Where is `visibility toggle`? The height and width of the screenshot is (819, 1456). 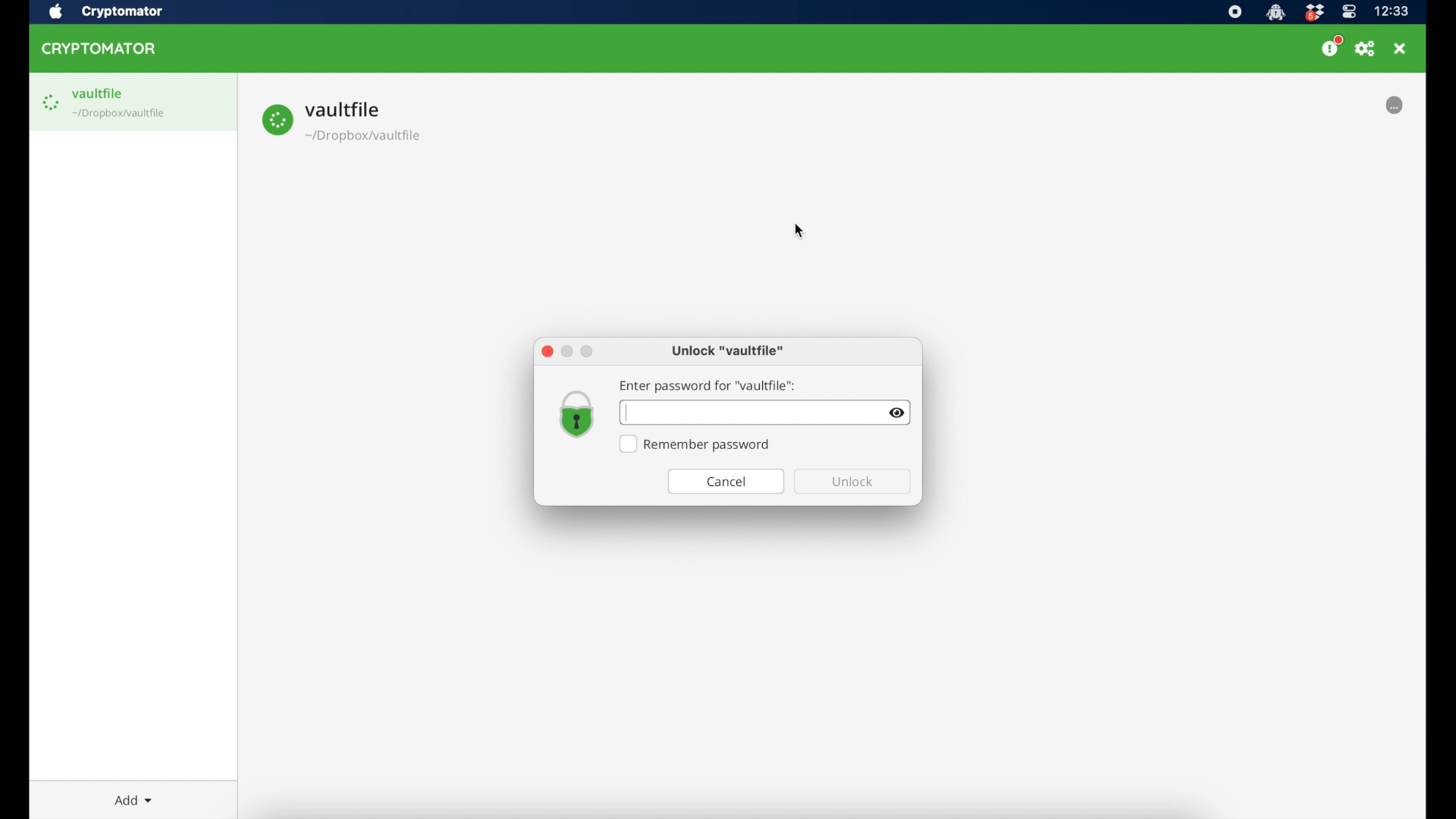 visibility toggle is located at coordinates (897, 412).